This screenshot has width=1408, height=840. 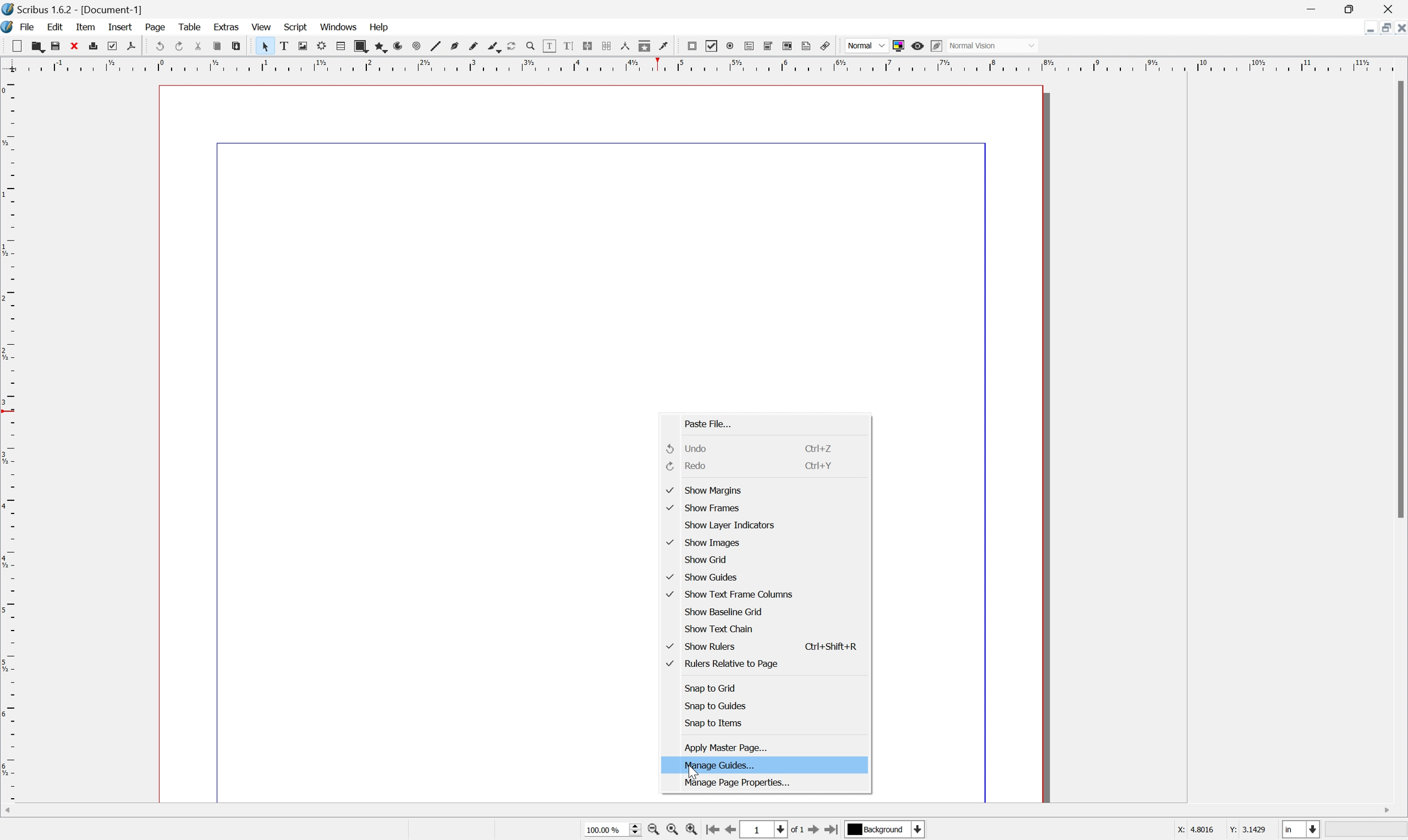 I want to click on select tool, so click(x=263, y=46).